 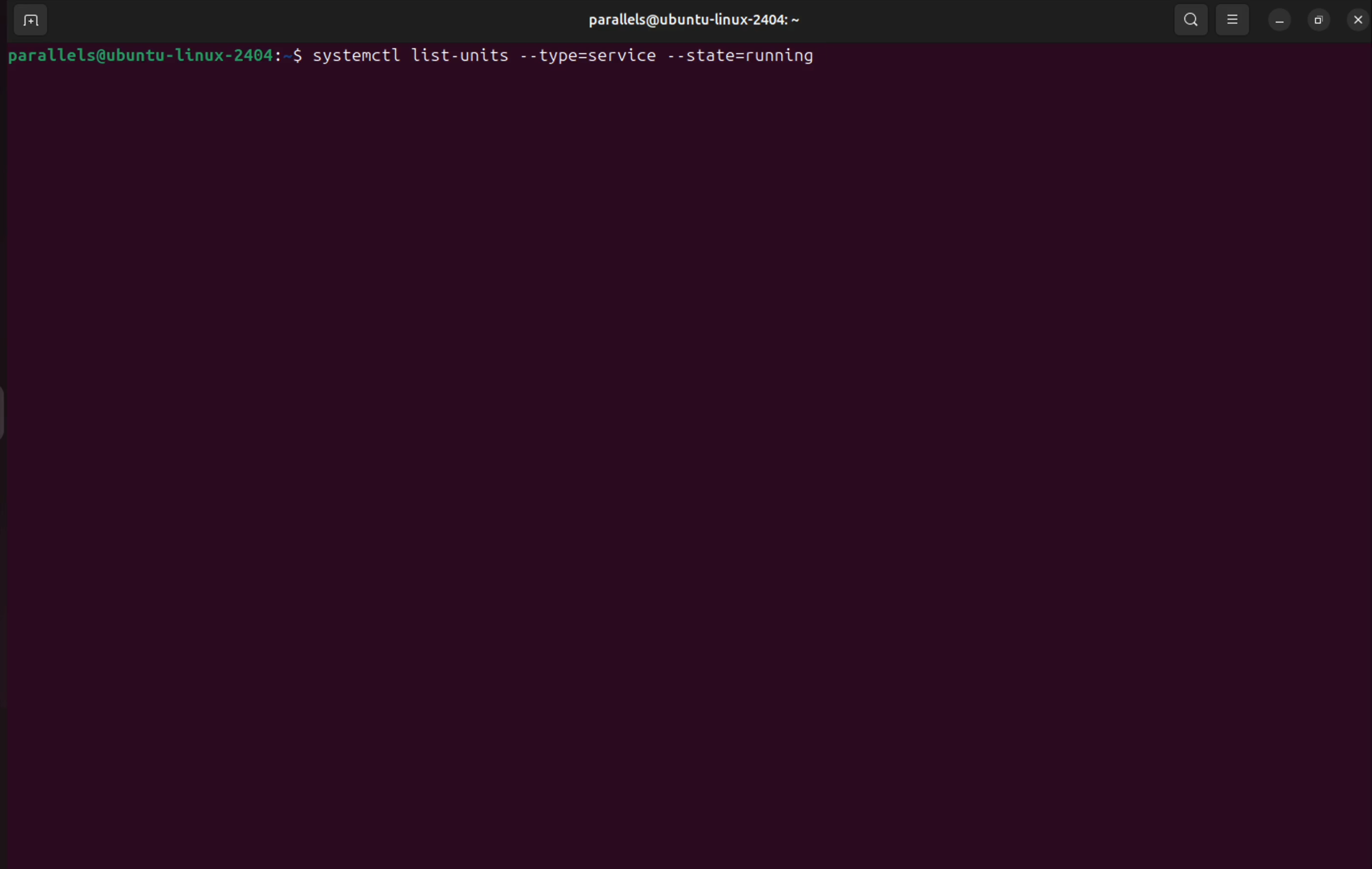 What do you see at coordinates (565, 55) in the screenshot?
I see `systemctl list-units --types=service --state=running` at bounding box center [565, 55].